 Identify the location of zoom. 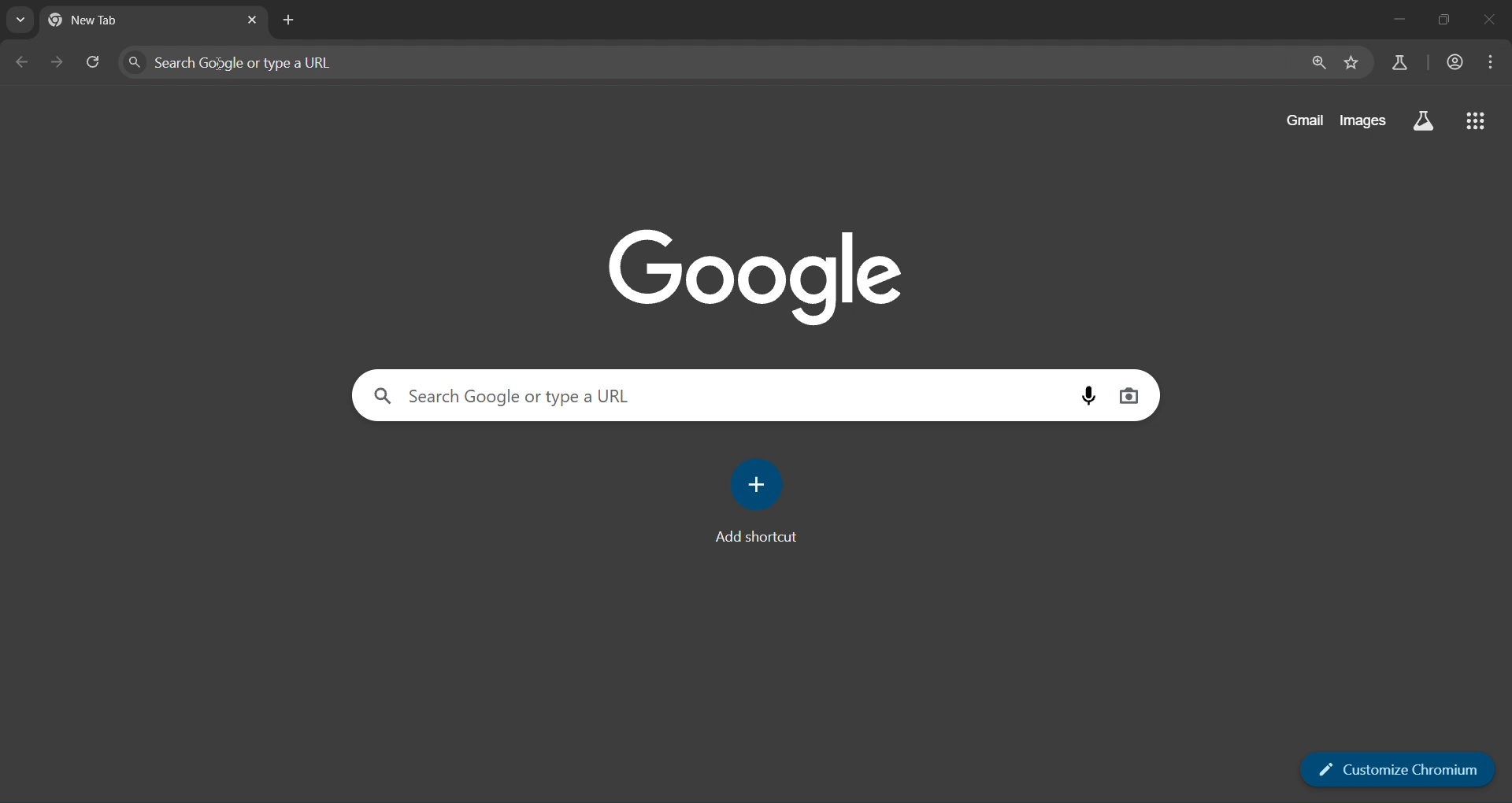
(1321, 65).